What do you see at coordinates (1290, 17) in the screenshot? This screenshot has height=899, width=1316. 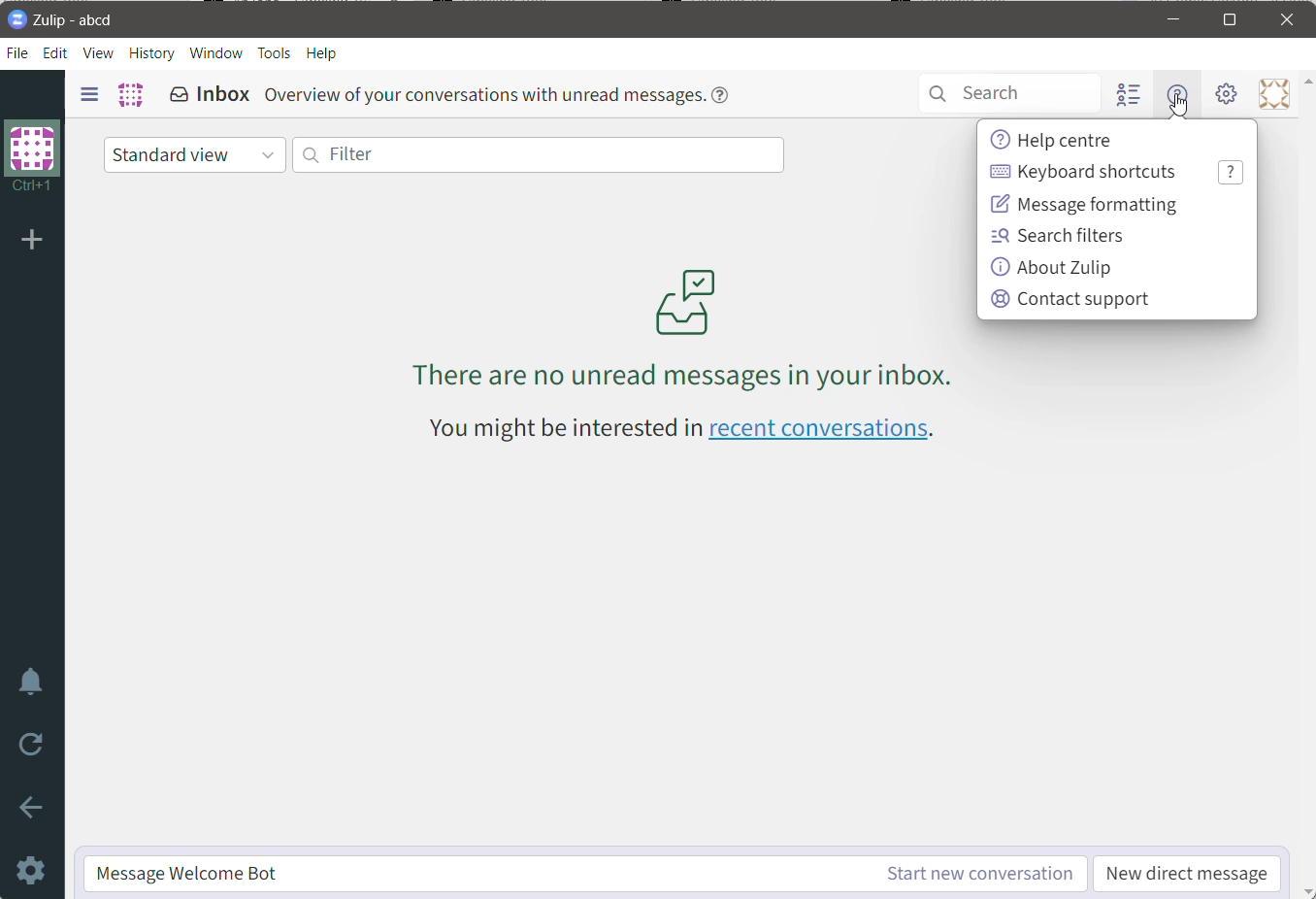 I see `Close` at bounding box center [1290, 17].